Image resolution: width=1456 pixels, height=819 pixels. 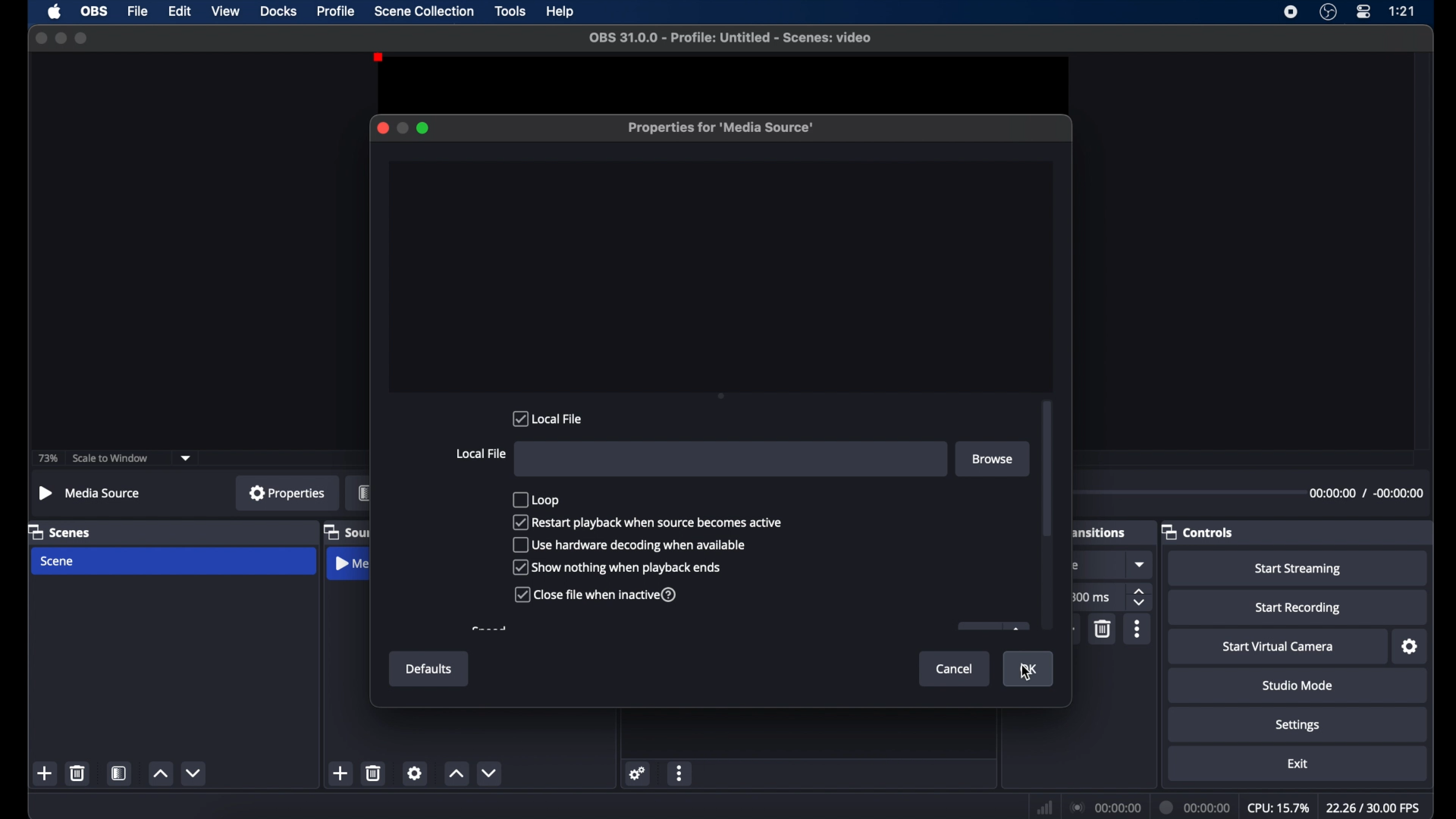 I want to click on file name, so click(x=731, y=38).